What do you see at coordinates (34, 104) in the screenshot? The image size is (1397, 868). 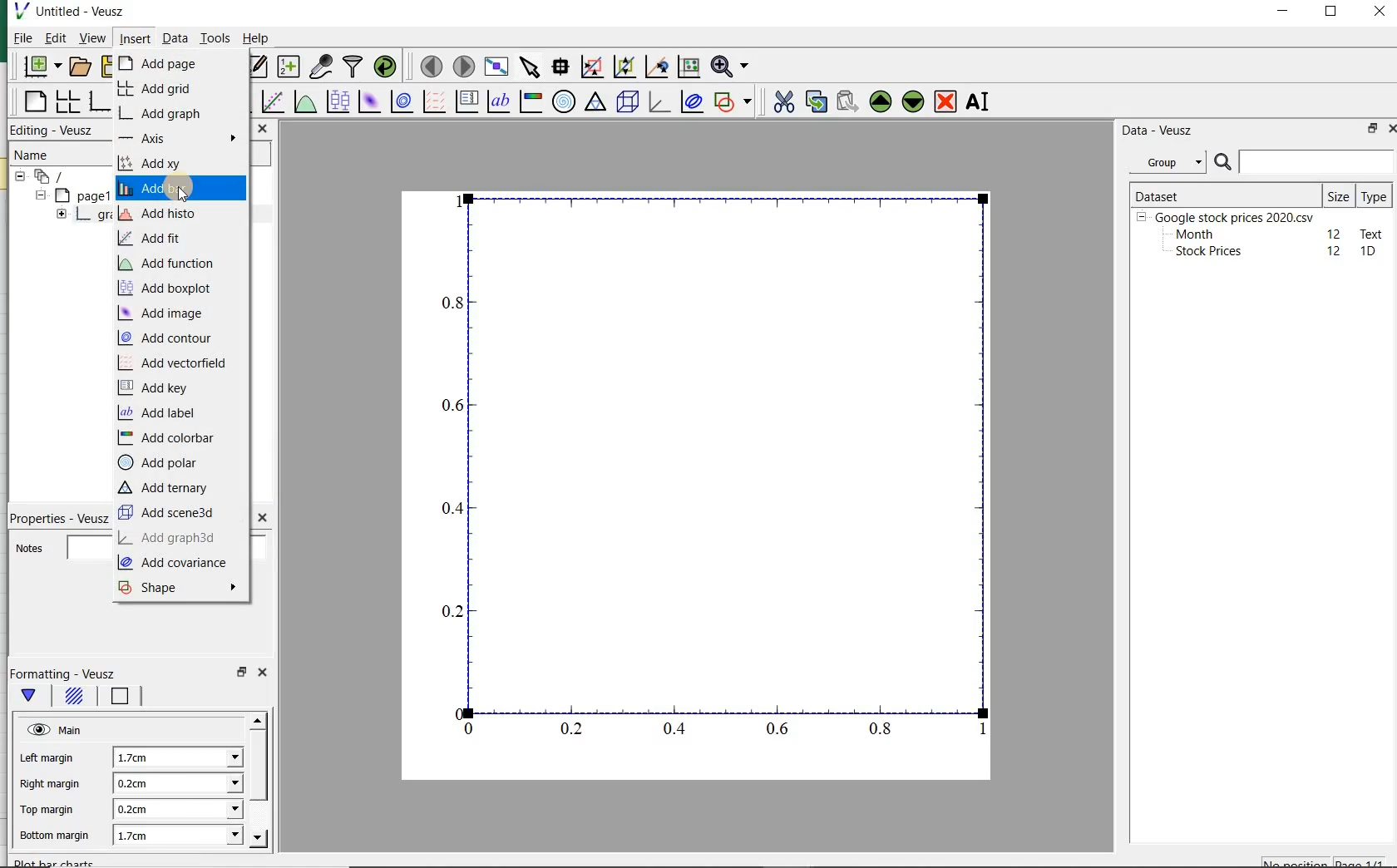 I see `blank page` at bounding box center [34, 104].